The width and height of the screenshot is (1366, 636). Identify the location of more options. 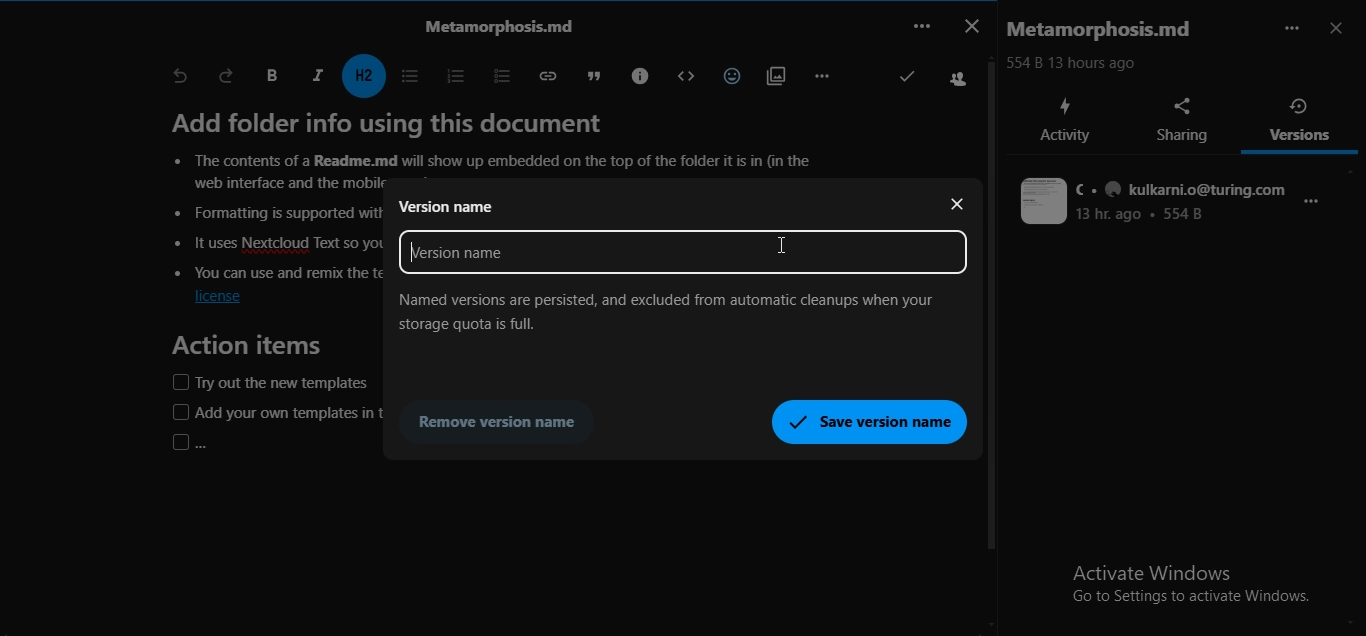
(1291, 28).